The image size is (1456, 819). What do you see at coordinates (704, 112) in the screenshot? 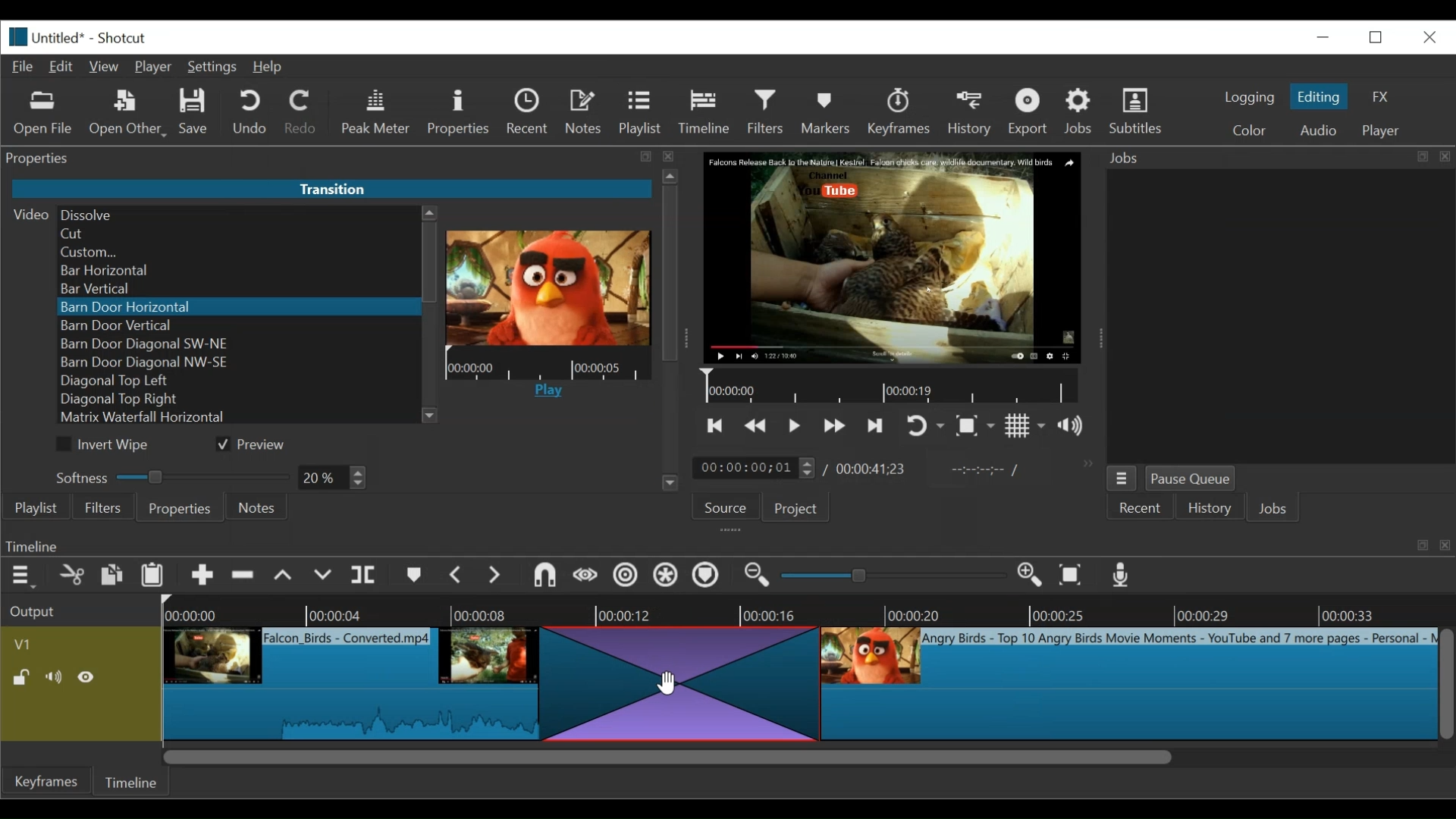
I see `Timeline` at bounding box center [704, 112].